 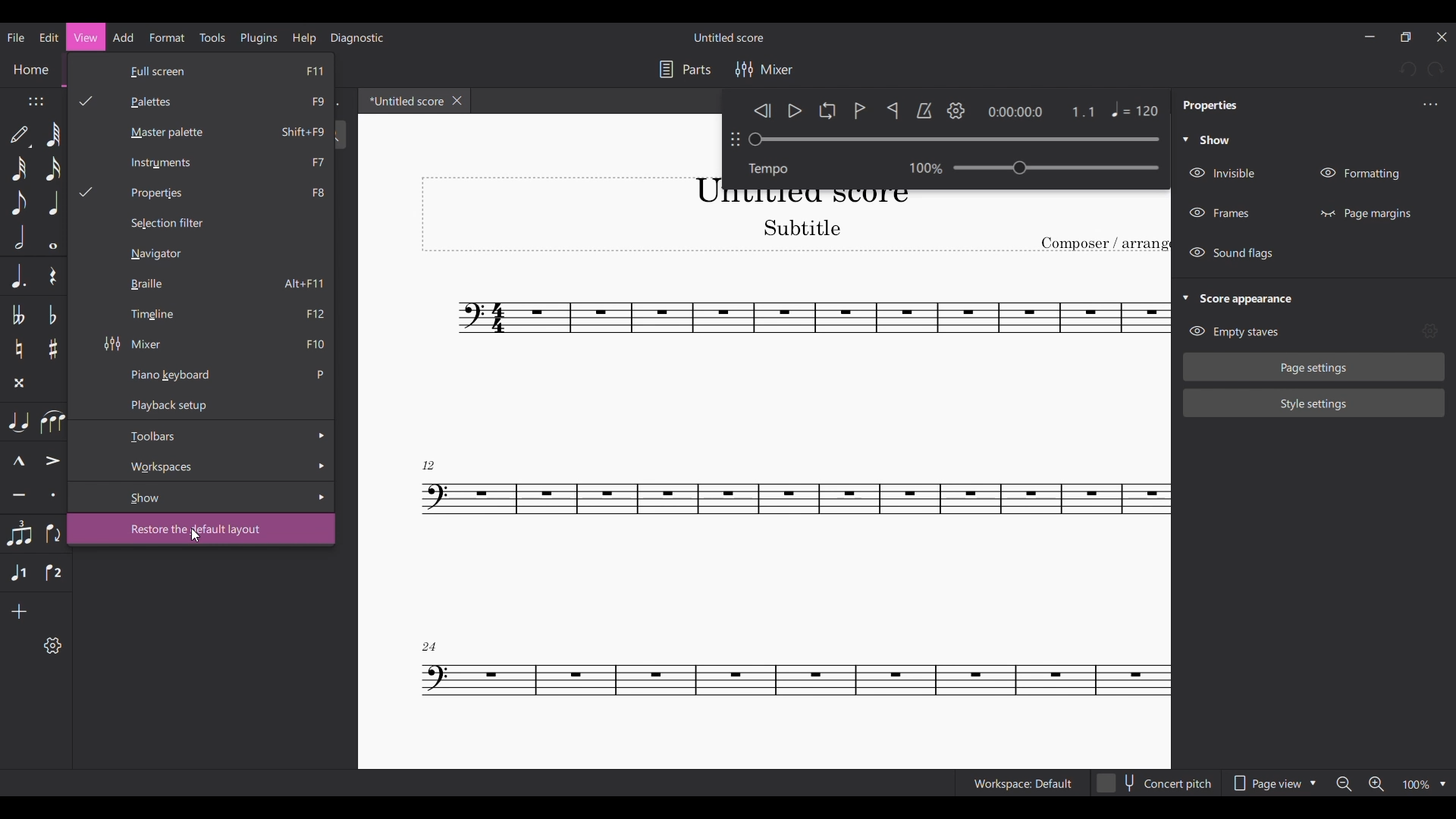 I want to click on Close interface, so click(x=1442, y=37).